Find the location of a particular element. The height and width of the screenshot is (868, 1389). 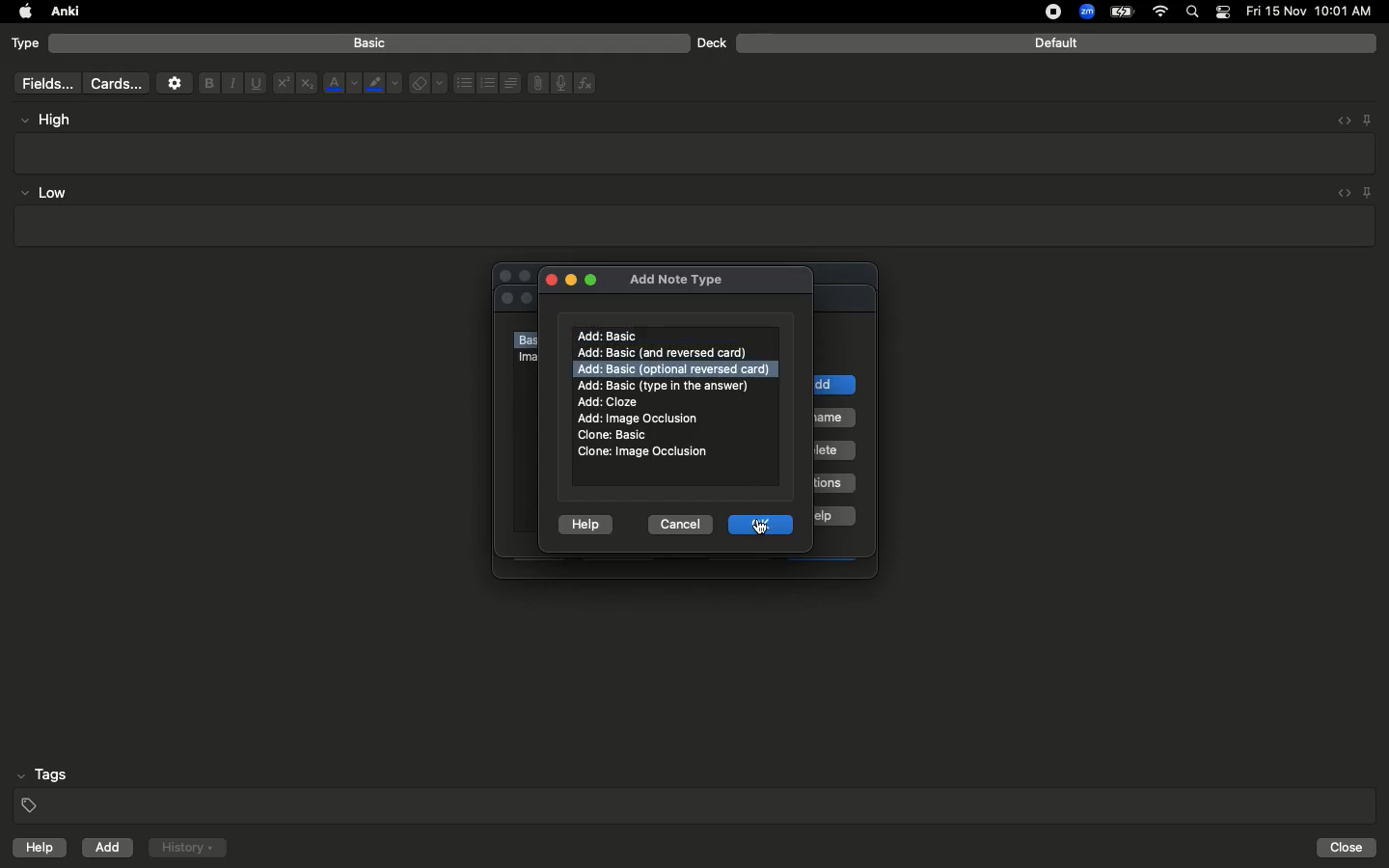

Settings is located at coordinates (175, 83).